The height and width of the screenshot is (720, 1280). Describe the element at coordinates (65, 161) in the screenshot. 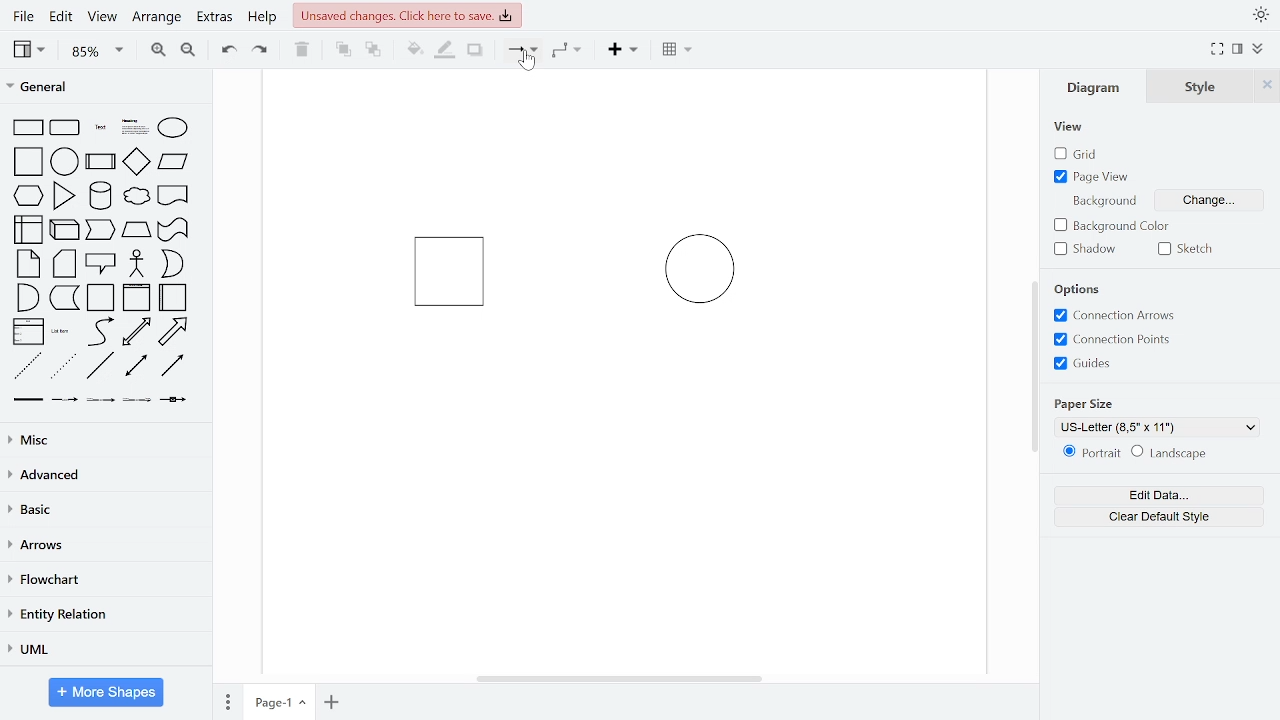

I see `circle` at that location.